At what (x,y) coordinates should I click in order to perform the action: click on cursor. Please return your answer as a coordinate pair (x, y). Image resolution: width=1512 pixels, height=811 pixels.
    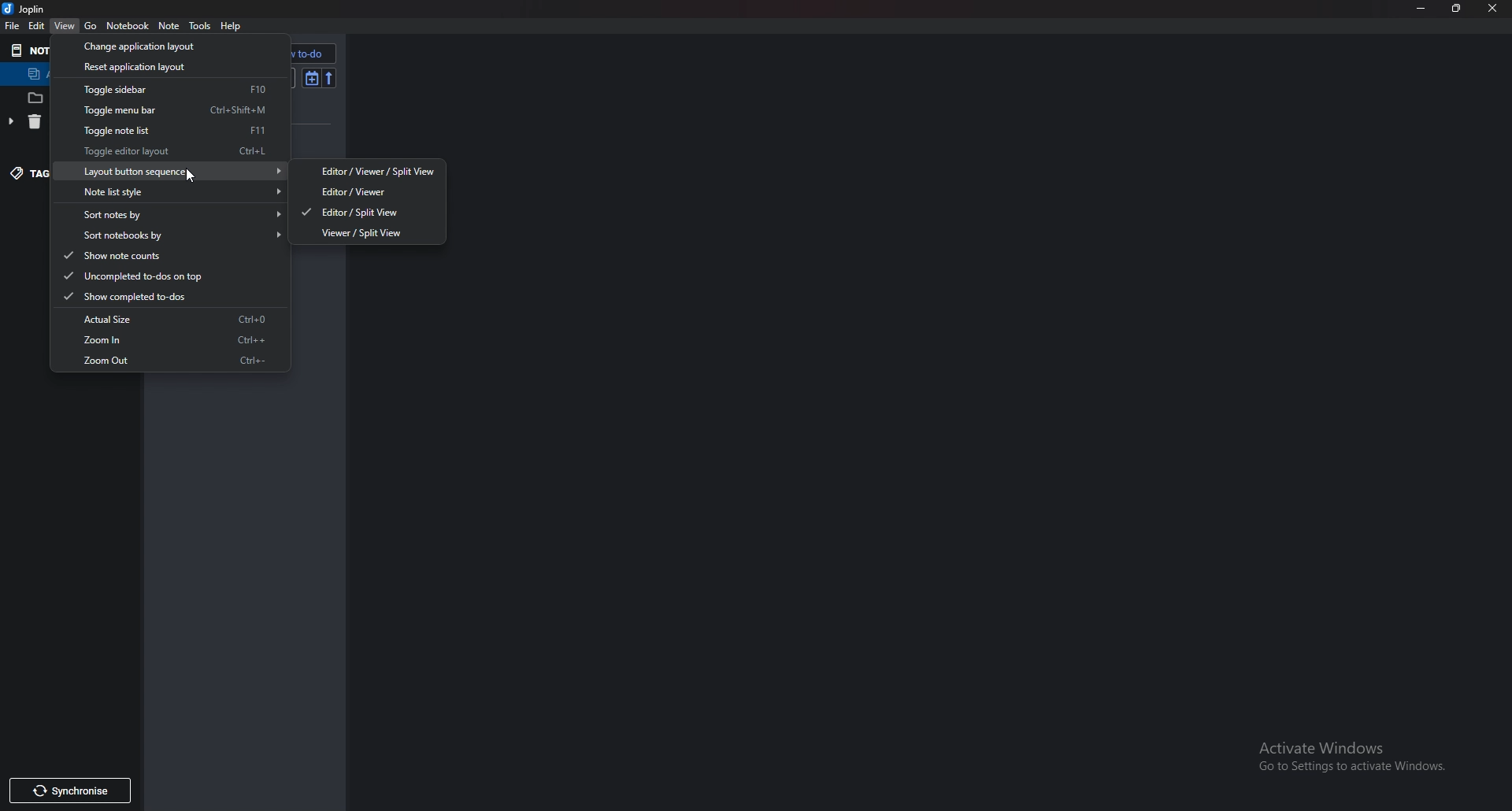
    Looking at the image, I should click on (192, 174).